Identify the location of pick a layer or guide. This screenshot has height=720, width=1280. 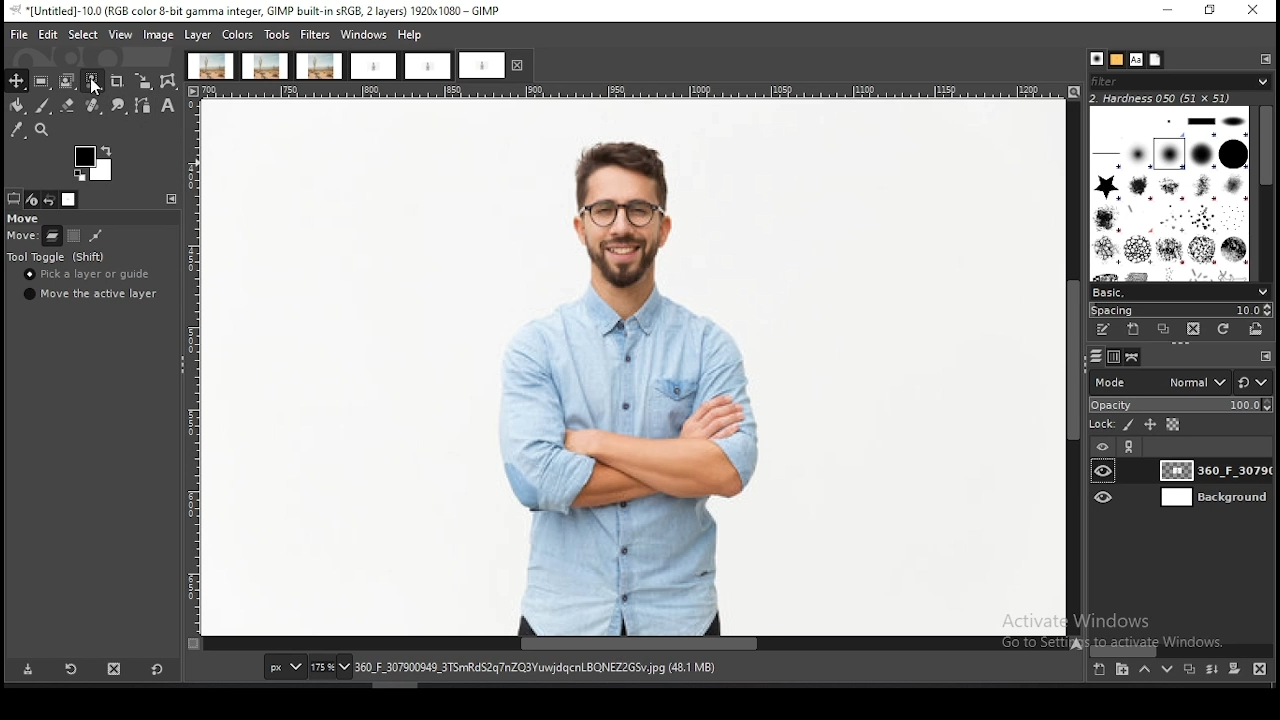
(86, 275).